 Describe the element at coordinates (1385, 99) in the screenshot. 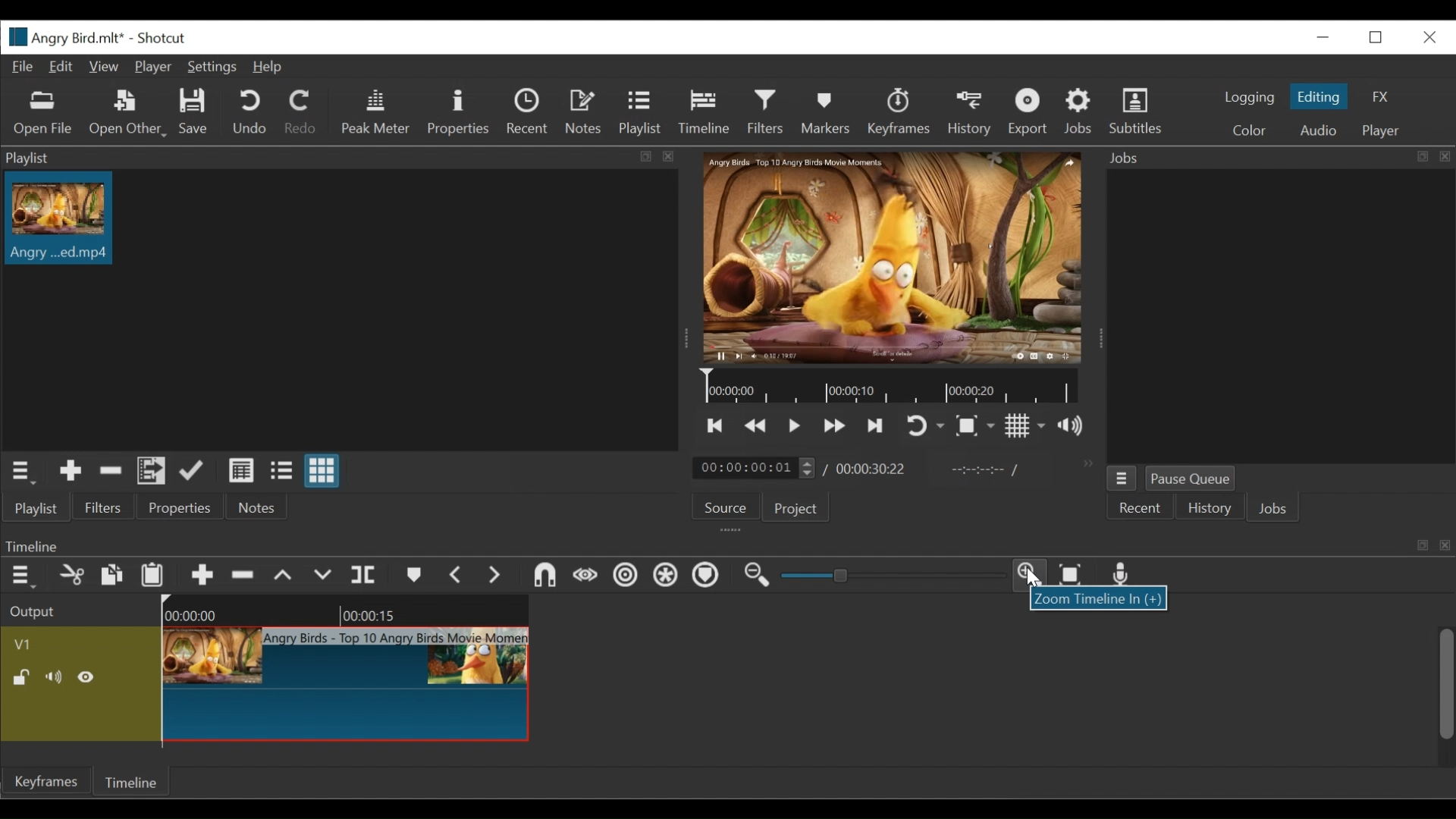

I see `FX` at that location.